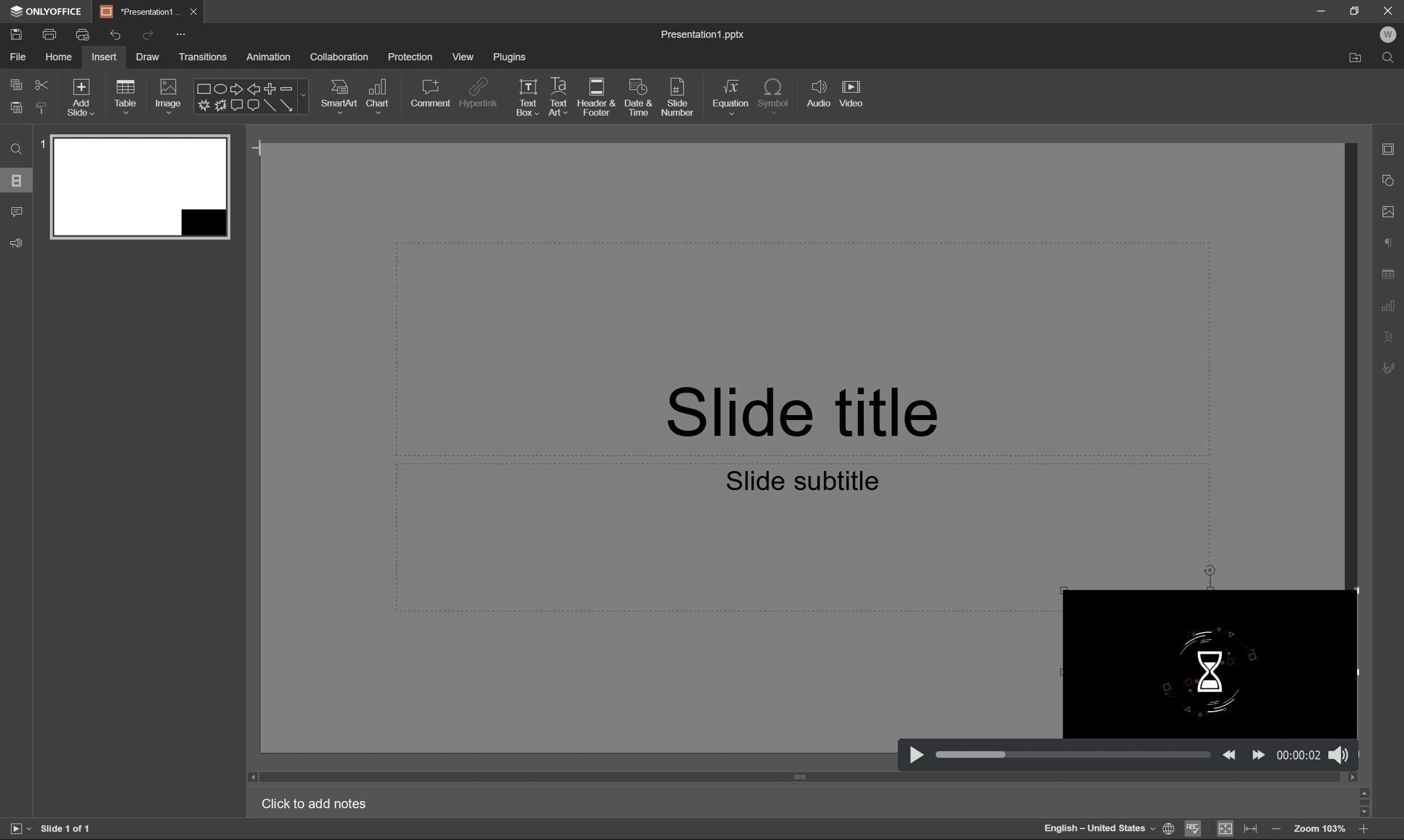 The image size is (1404, 840). I want to click on home, so click(60, 56).